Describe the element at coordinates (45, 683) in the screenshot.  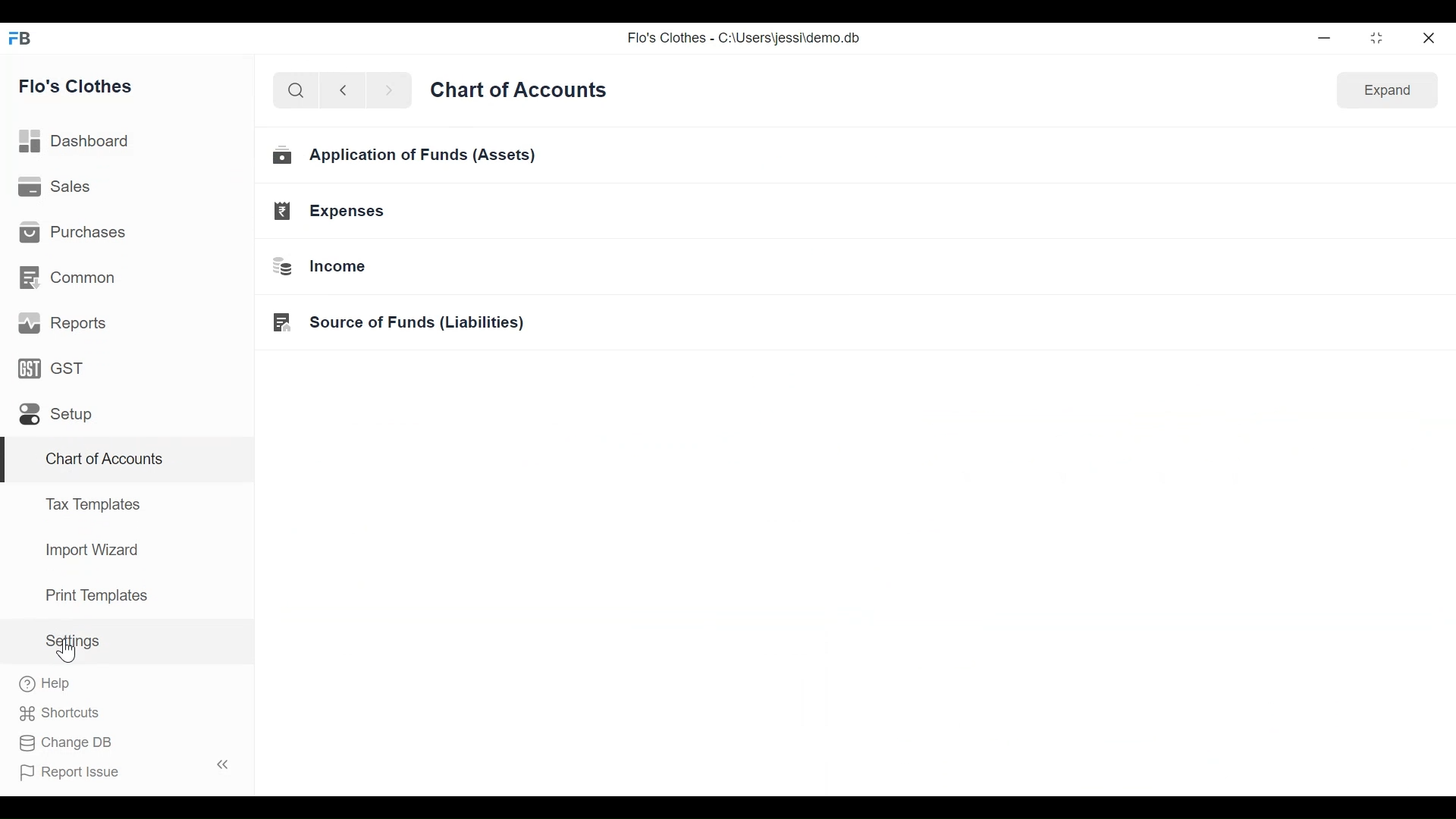
I see `help` at that location.